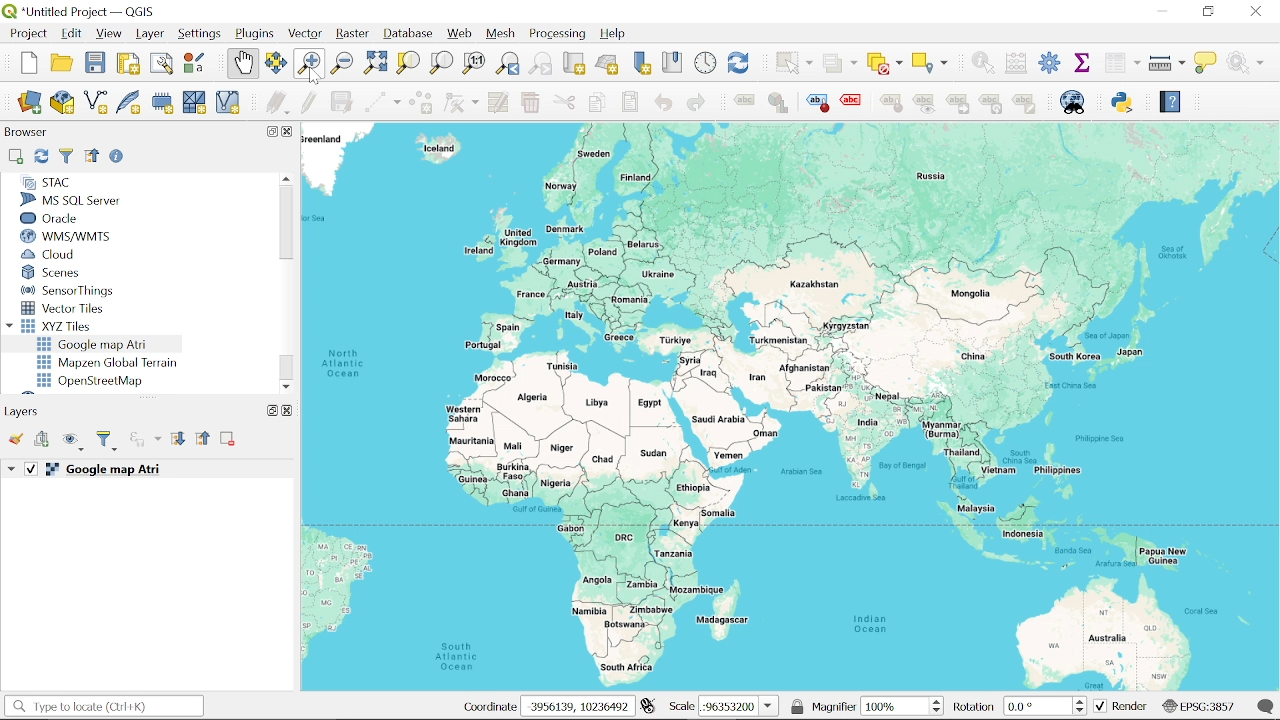 The height and width of the screenshot is (720, 1280). Describe the element at coordinates (1025, 105) in the screenshot. I see `Change label properties` at that location.